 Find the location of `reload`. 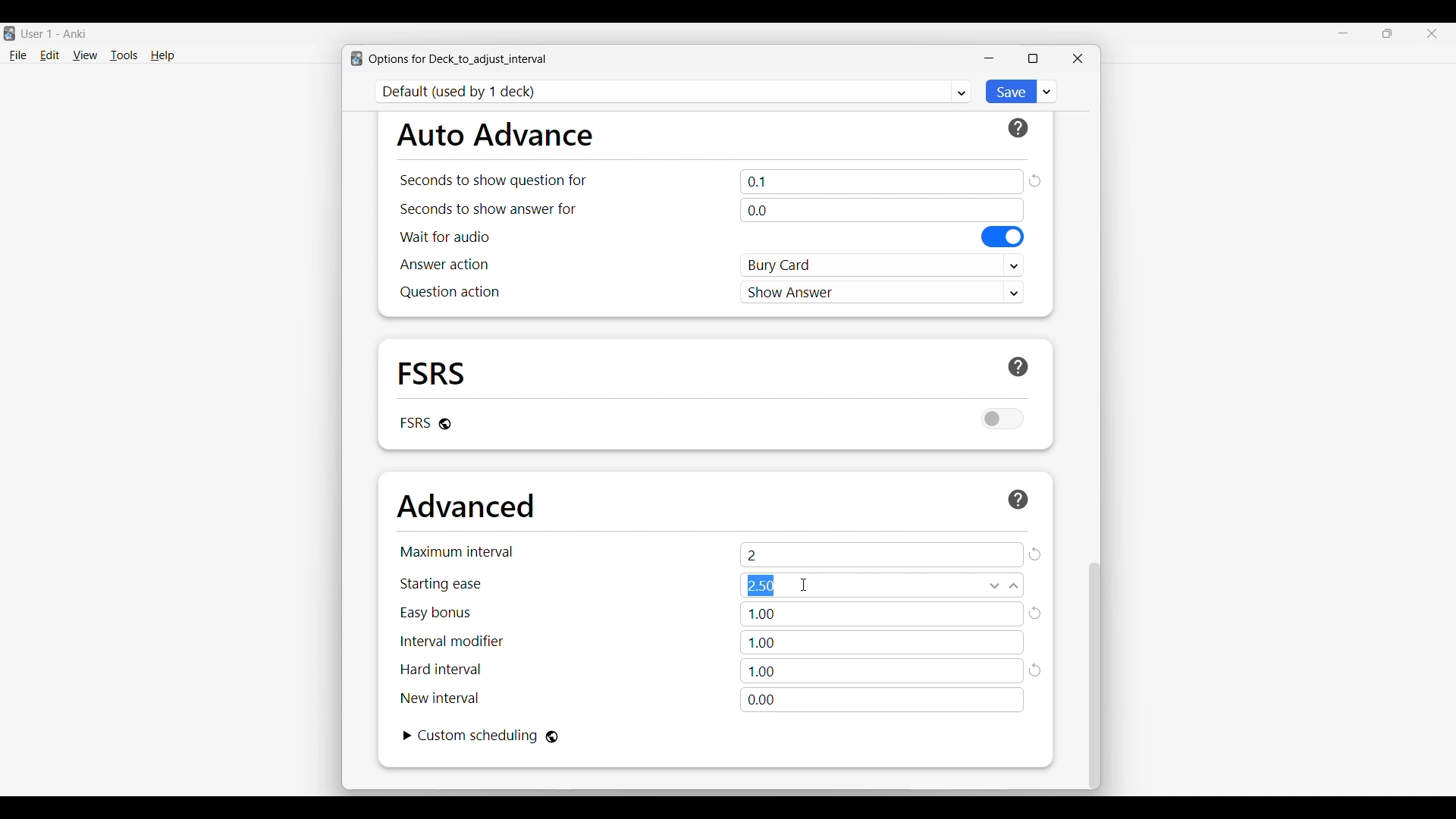

reload is located at coordinates (1037, 613).